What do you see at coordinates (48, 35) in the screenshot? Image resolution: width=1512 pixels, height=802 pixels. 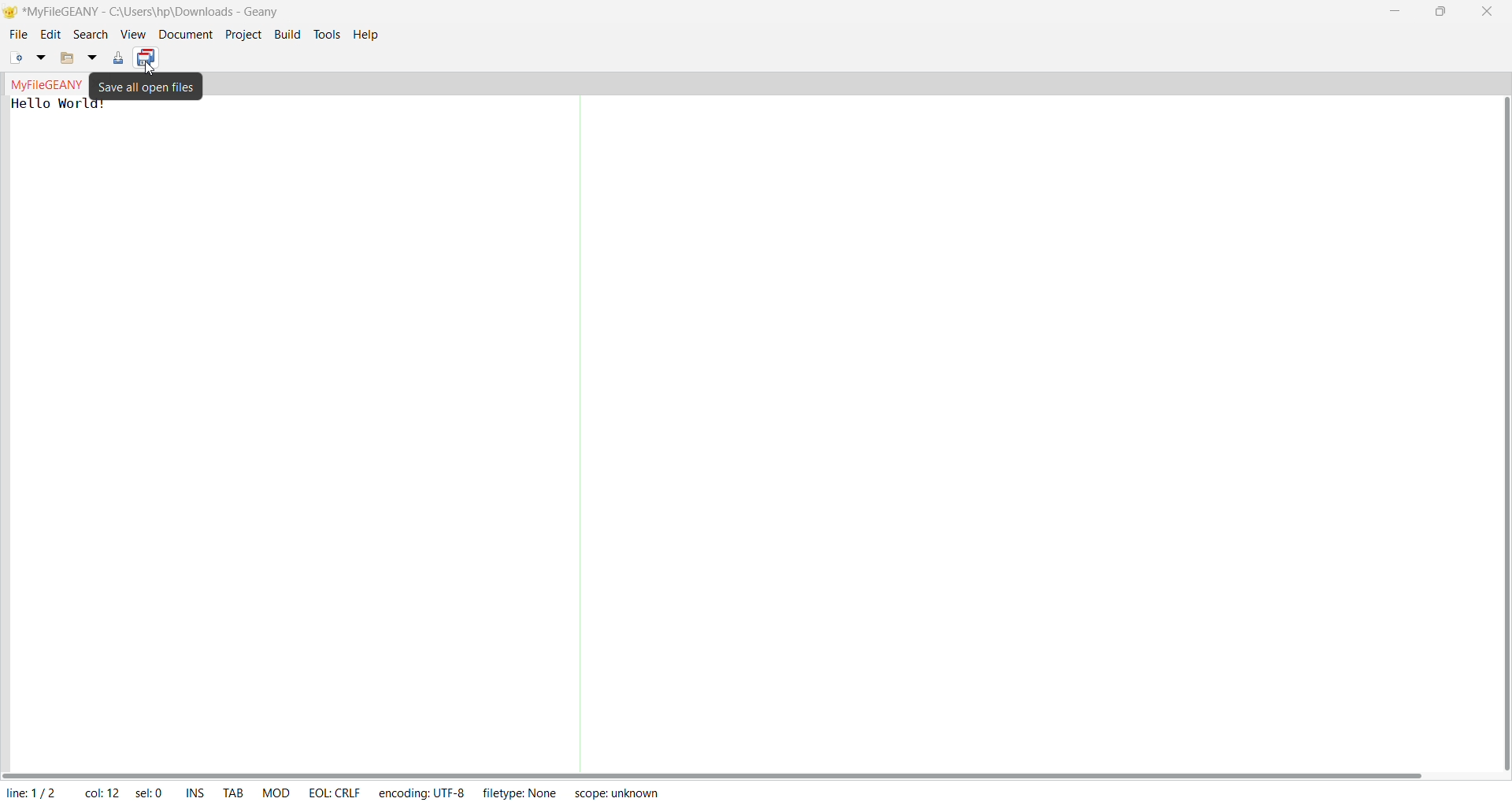 I see `Edit` at bounding box center [48, 35].